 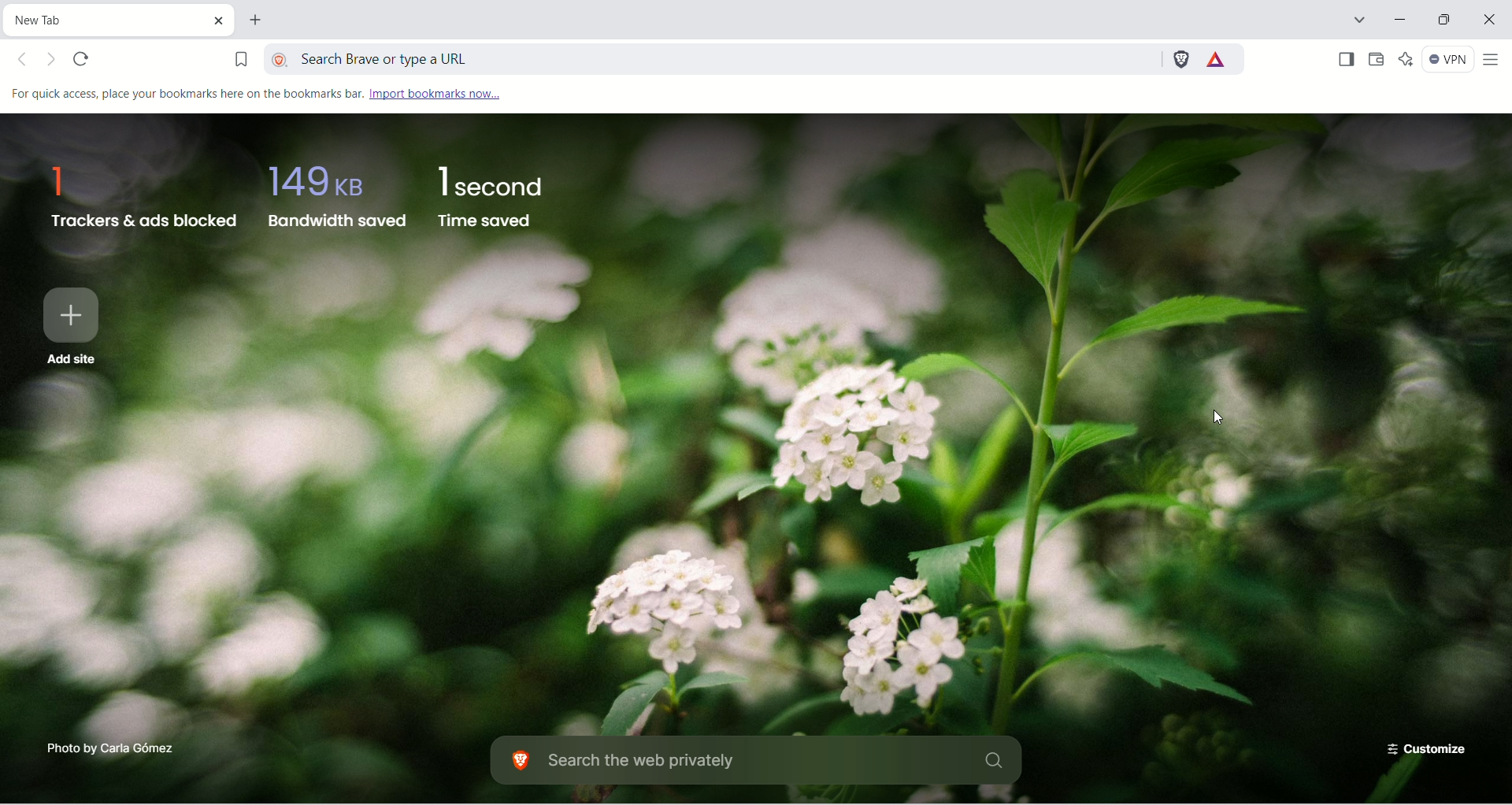 I want to click on Search tabs, so click(x=1358, y=17).